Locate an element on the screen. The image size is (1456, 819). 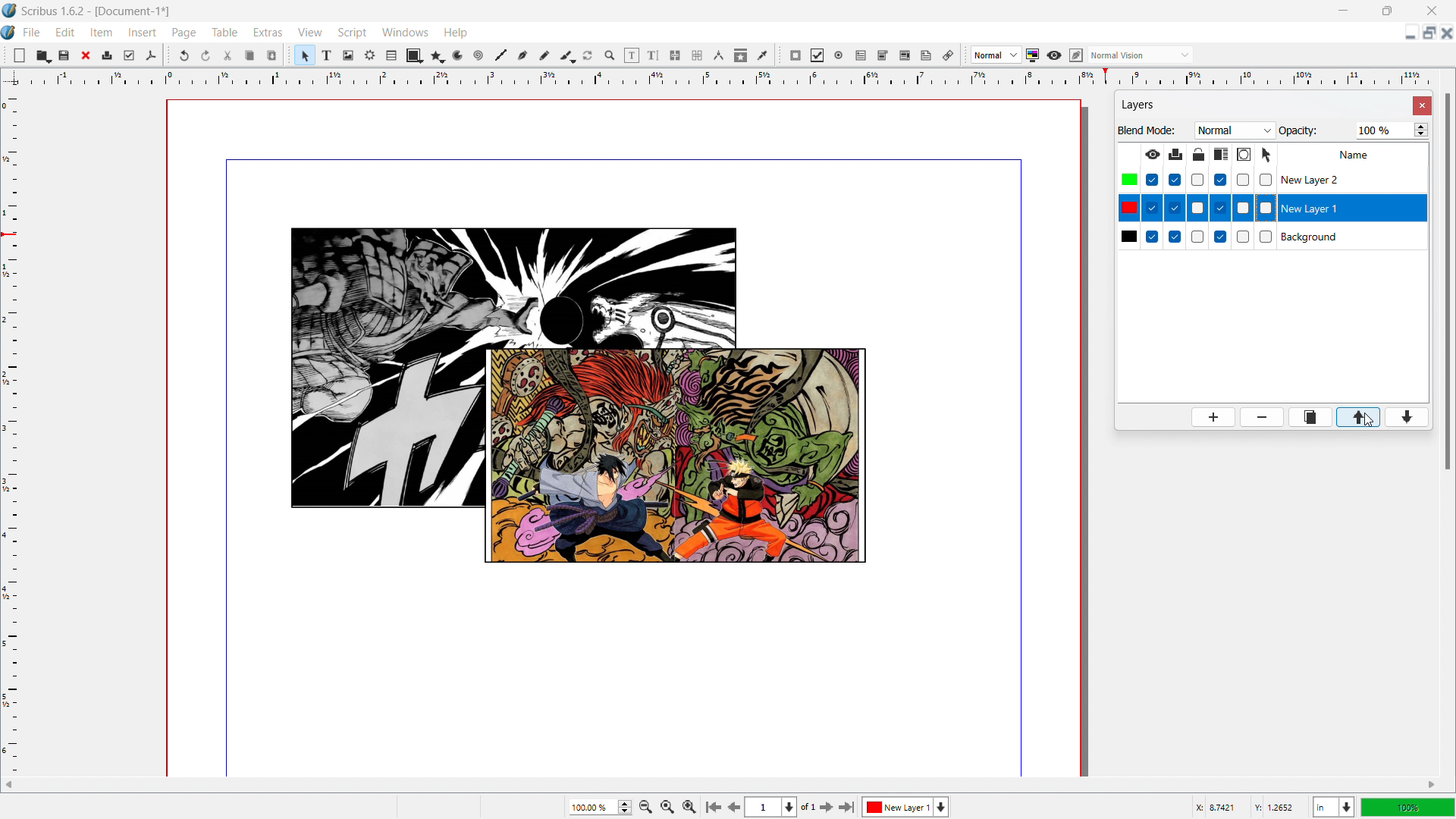
toggle color management system is located at coordinates (1032, 55).